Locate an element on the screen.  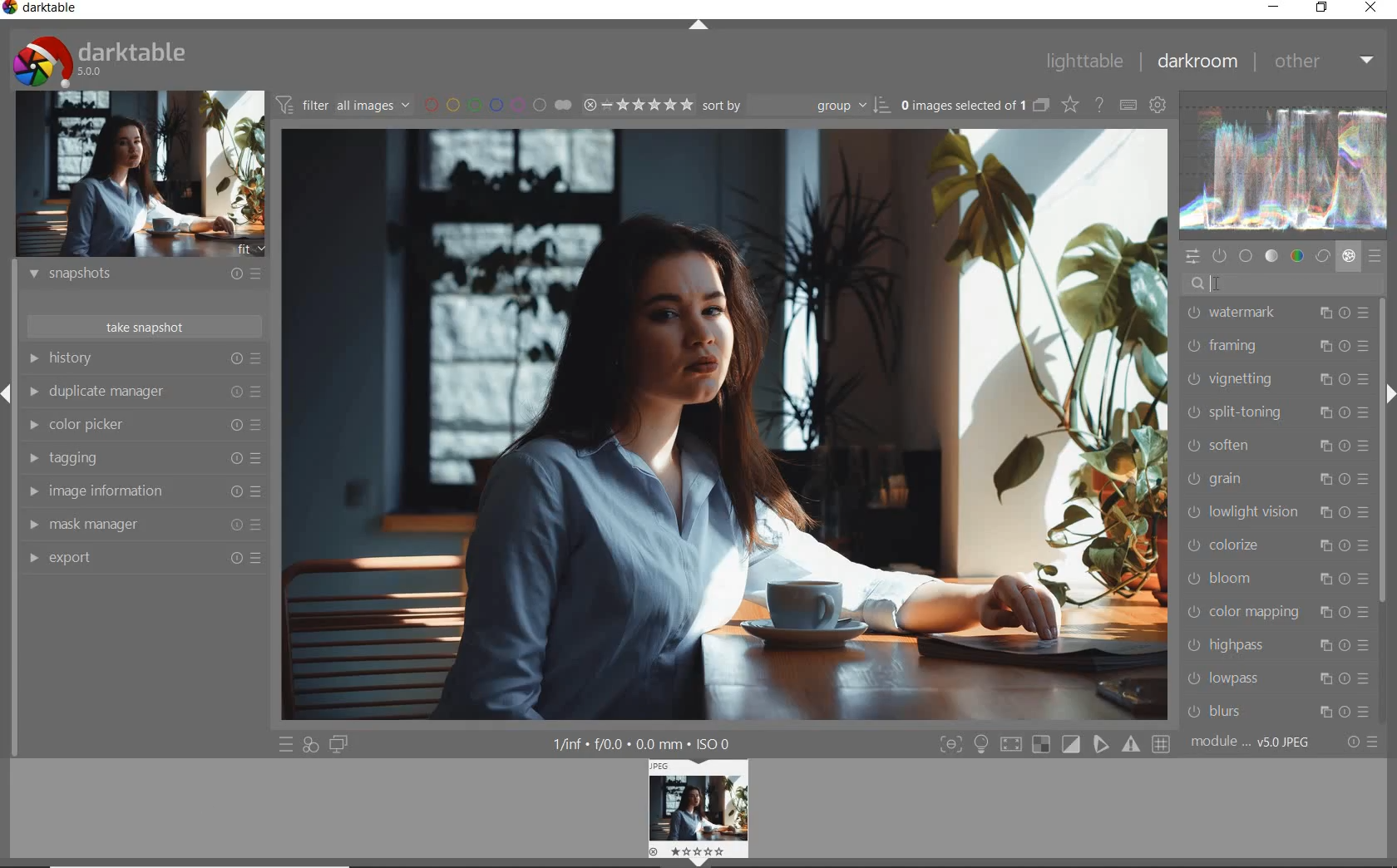
framing is located at coordinates (1278, 346).